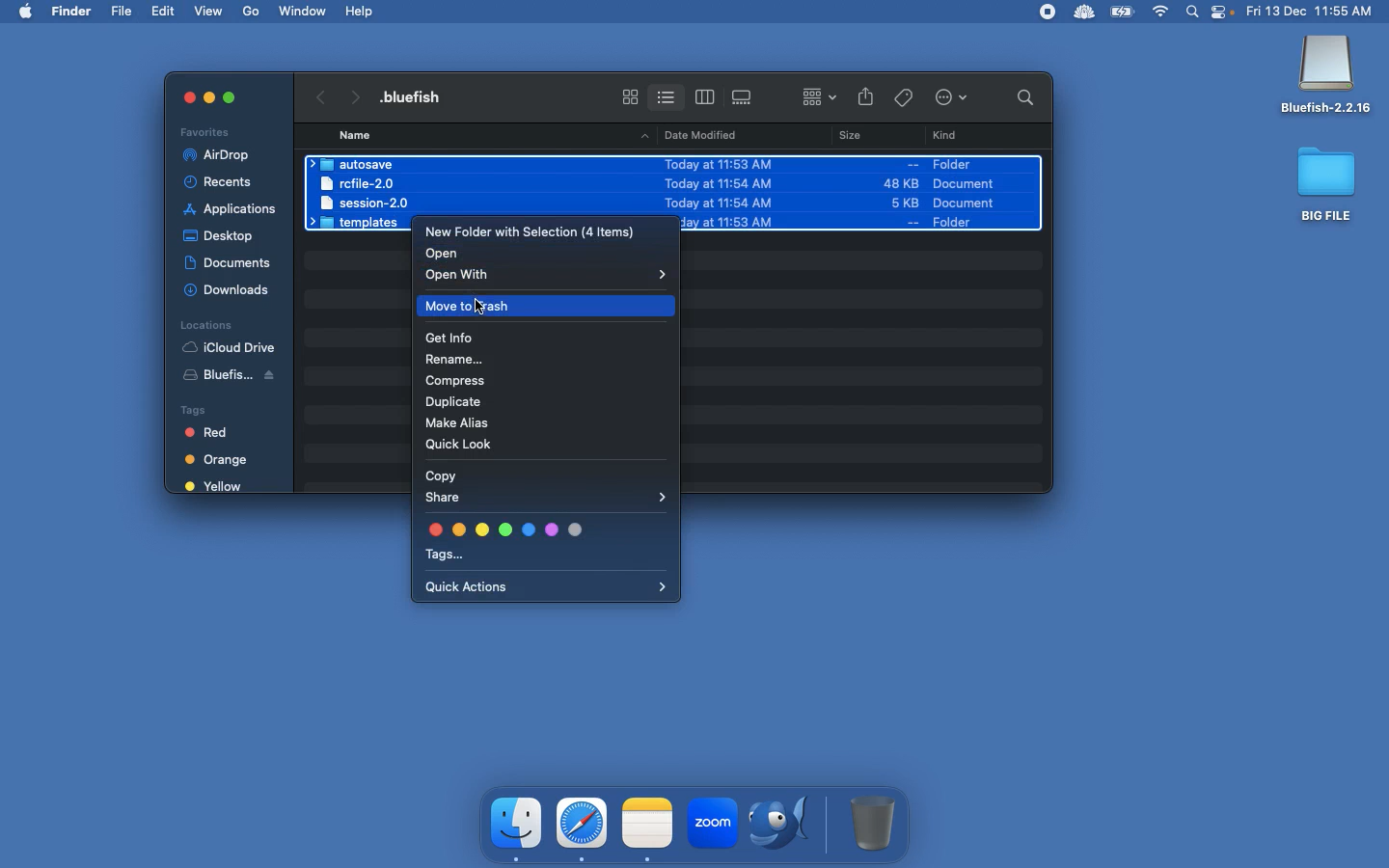  Describe the element at coordinates (530, 232) in the screenshot. I see `New folder` at that location.